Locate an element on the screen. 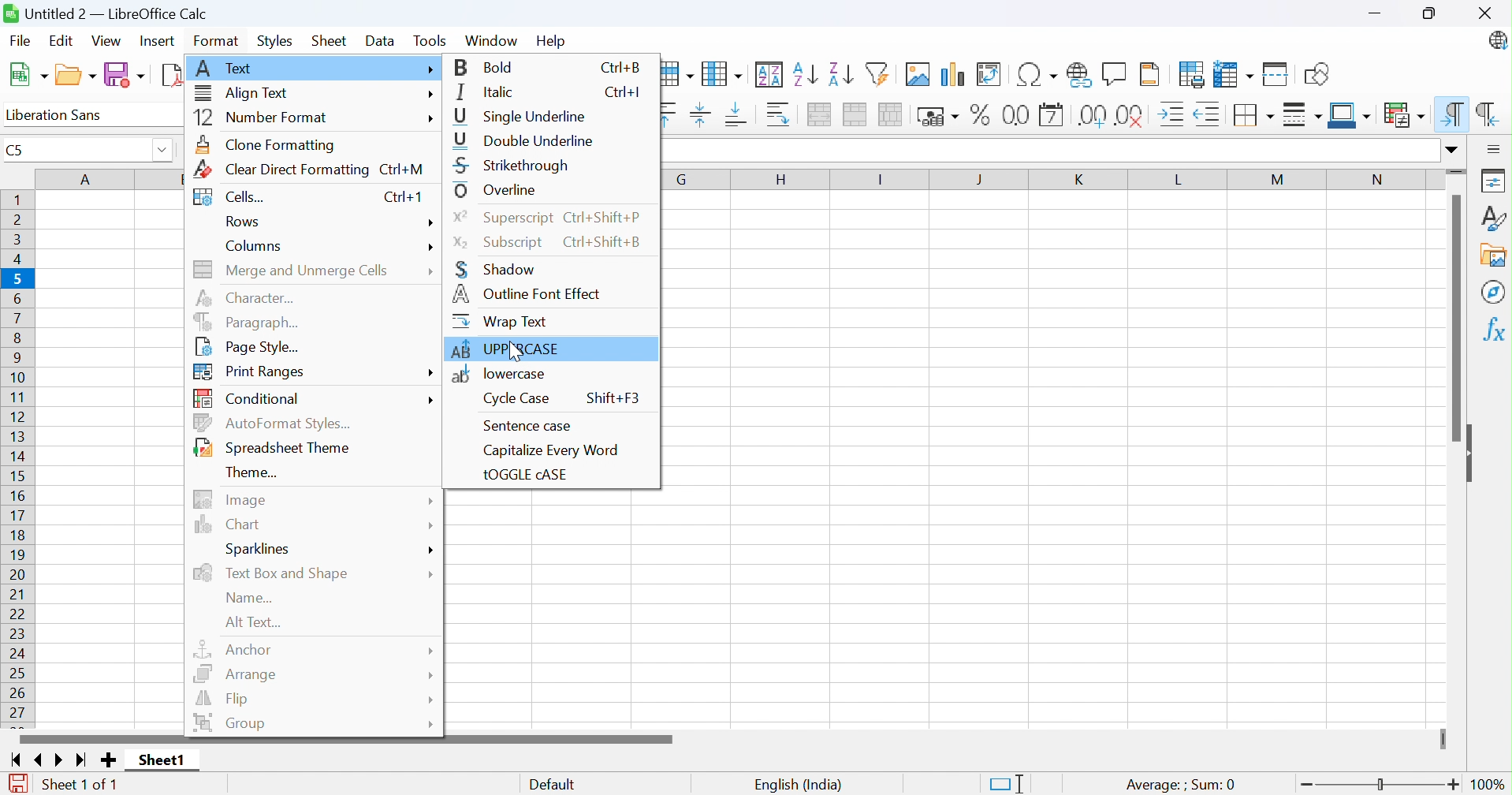 The width and height of the screenshot is (1512, 795). Name... is located at coordinates (251, 599).